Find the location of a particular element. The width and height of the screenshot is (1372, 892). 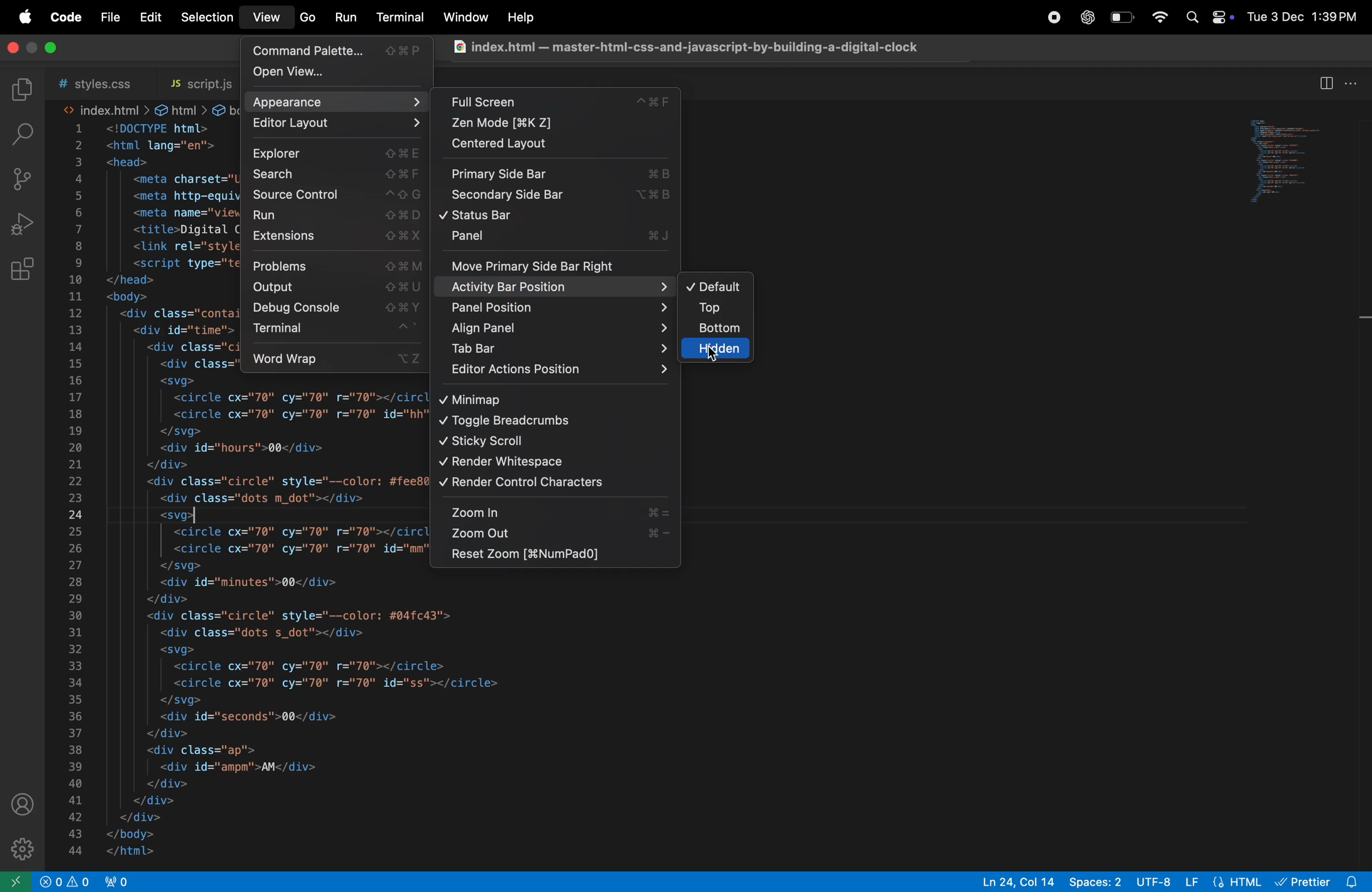

default is located at coordinates (718, 288).